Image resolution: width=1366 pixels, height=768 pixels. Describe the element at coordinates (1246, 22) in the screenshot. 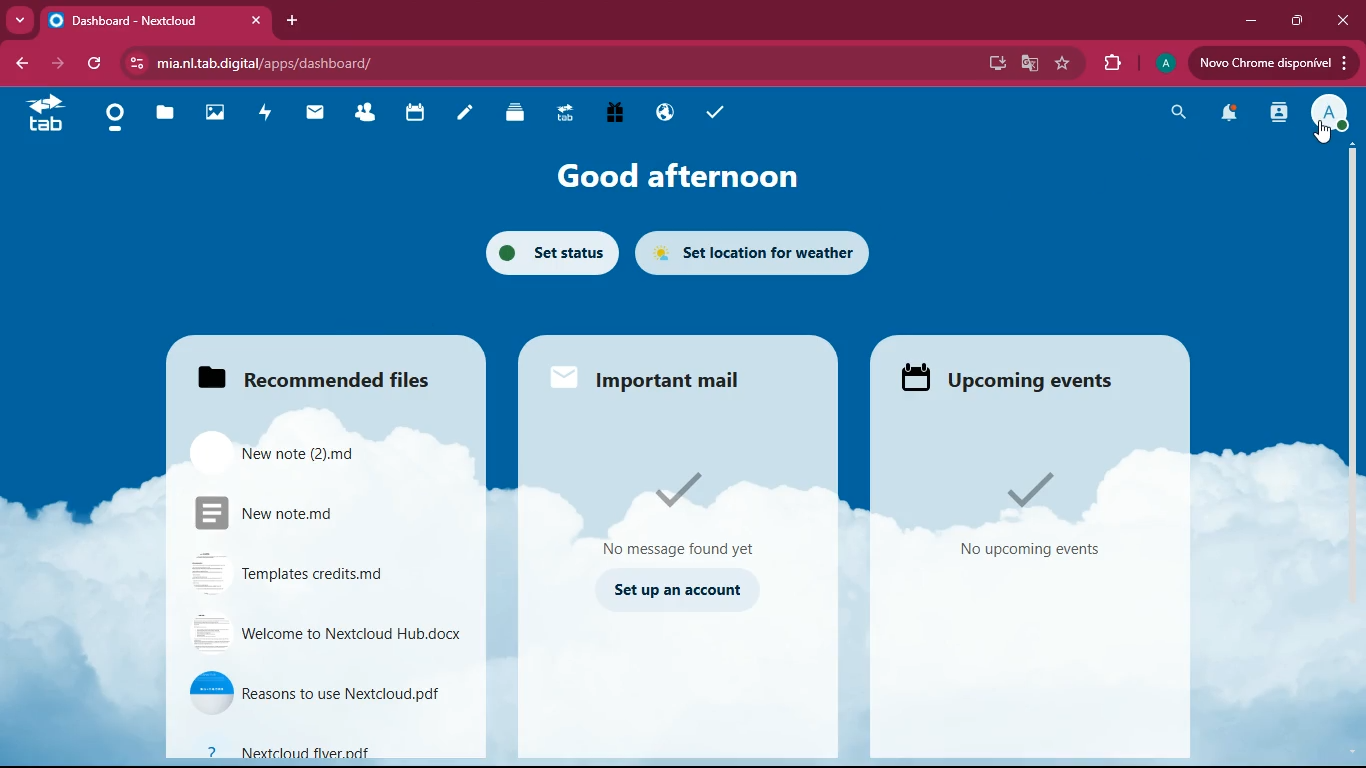

I see `minimize` at that location.